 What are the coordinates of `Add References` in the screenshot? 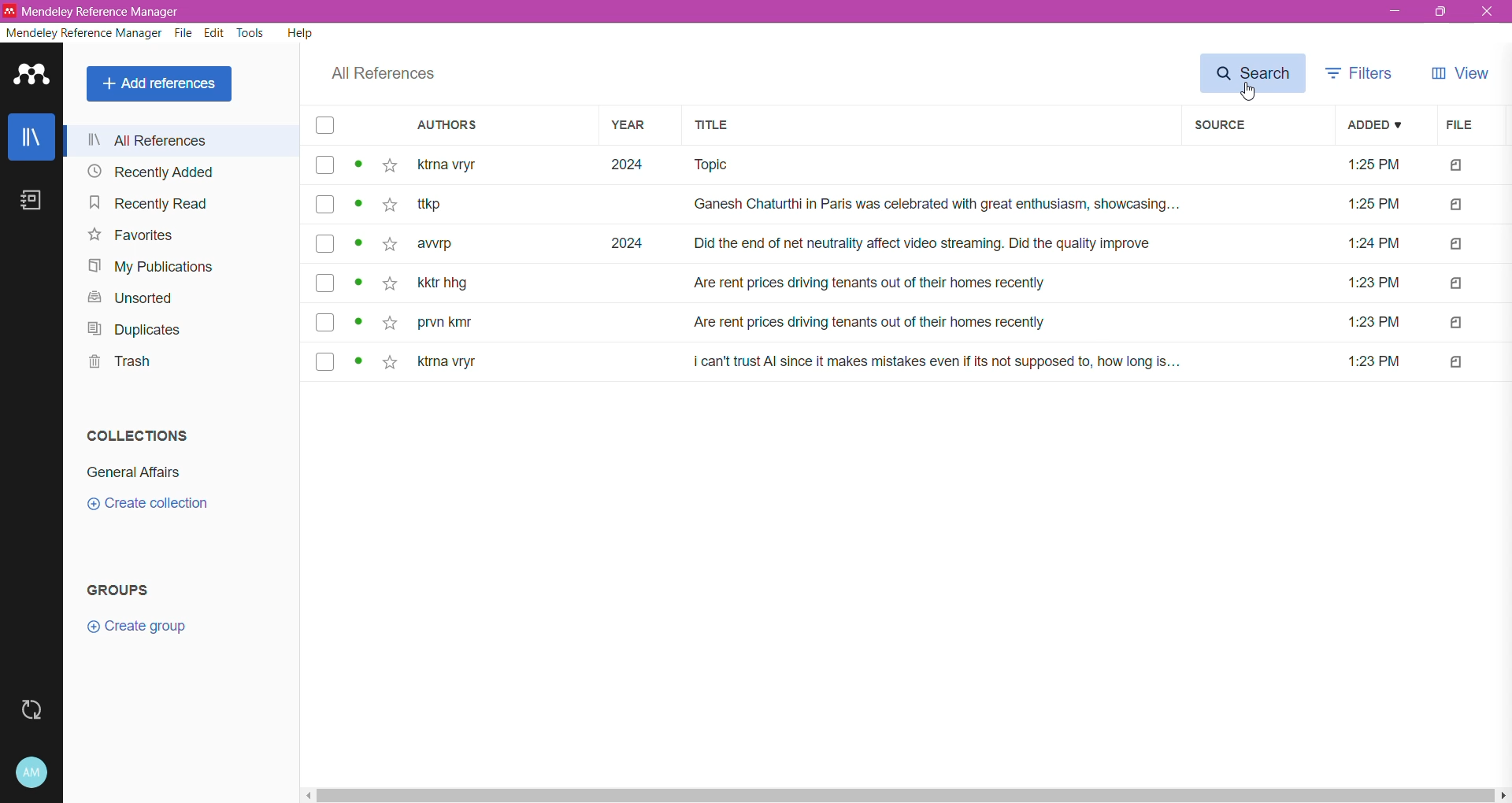 It's located at (159, 84).